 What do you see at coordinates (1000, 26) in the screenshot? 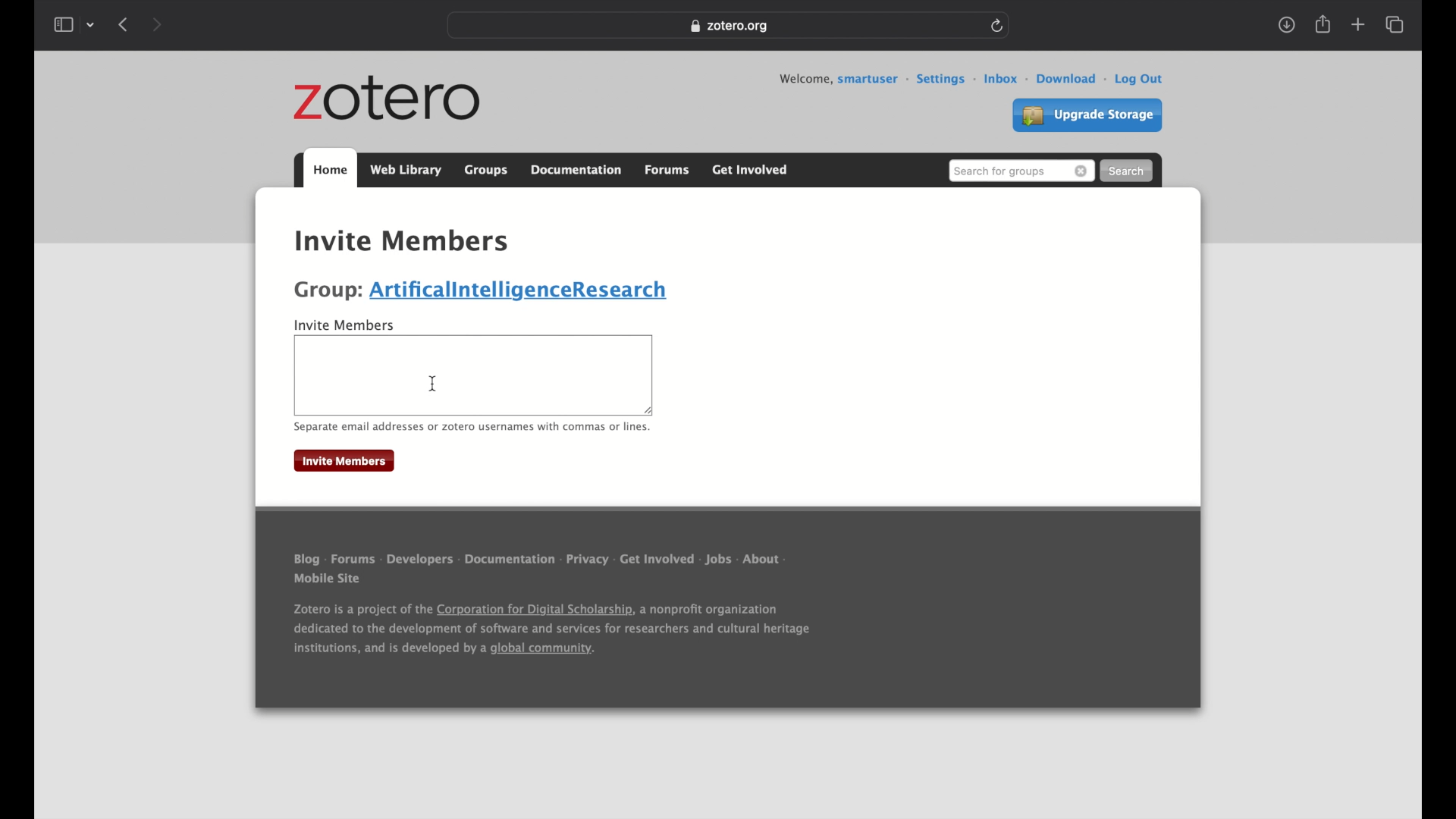
I see `refresh` at bounding box center [1000, 26].